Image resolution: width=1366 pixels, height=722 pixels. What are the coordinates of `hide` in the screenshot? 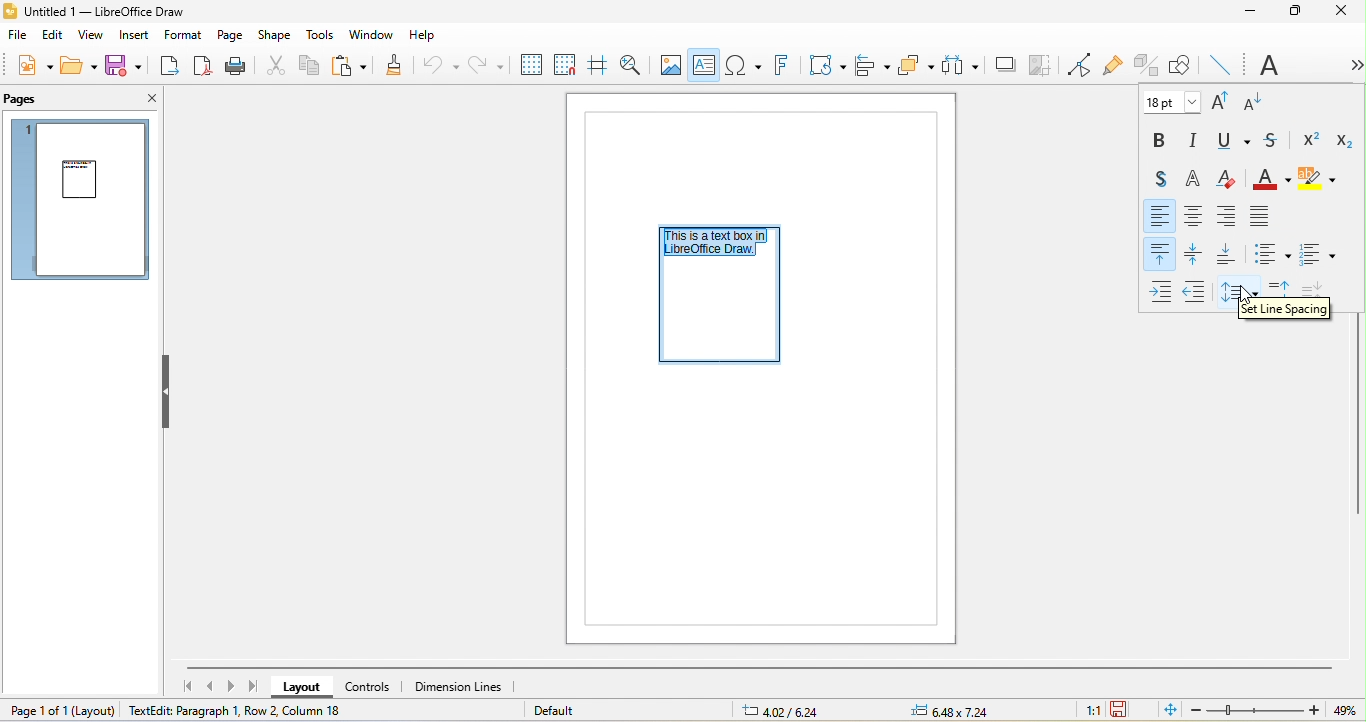 It's located at (168, 392).